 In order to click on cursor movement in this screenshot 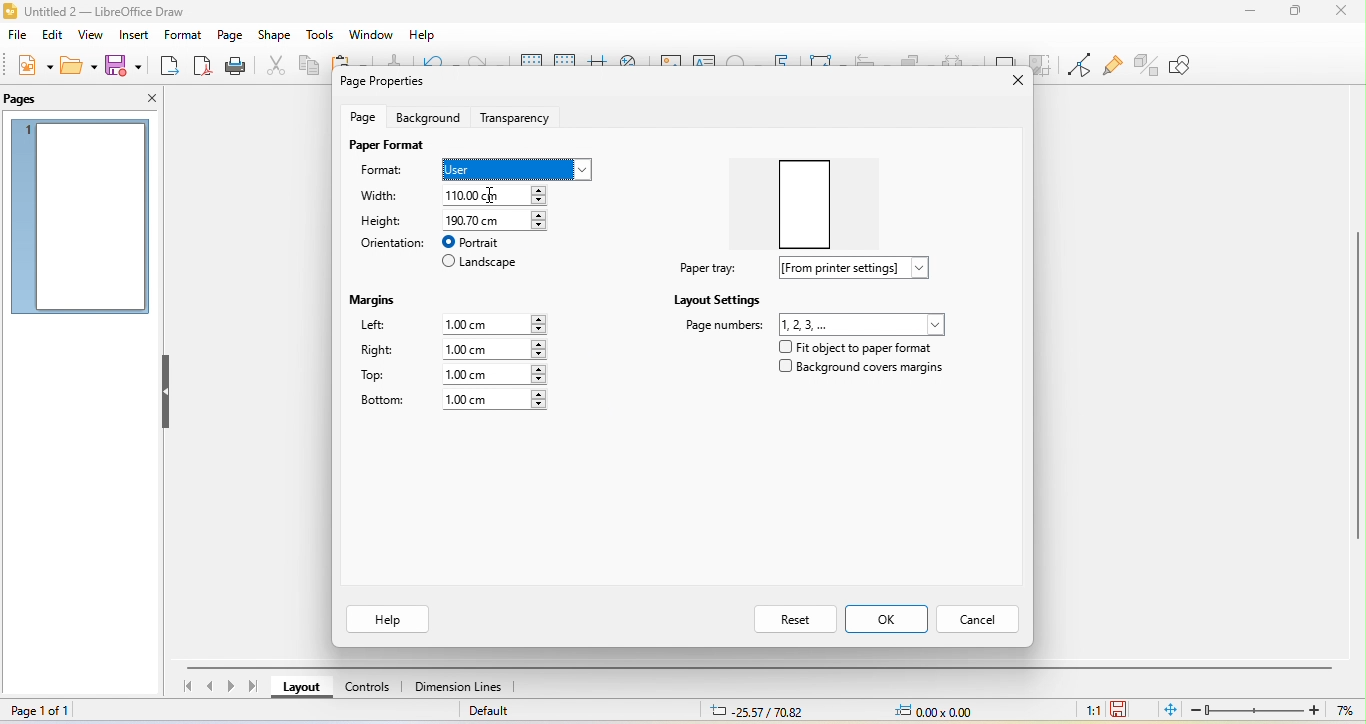, I will do `click(493, 197)`.